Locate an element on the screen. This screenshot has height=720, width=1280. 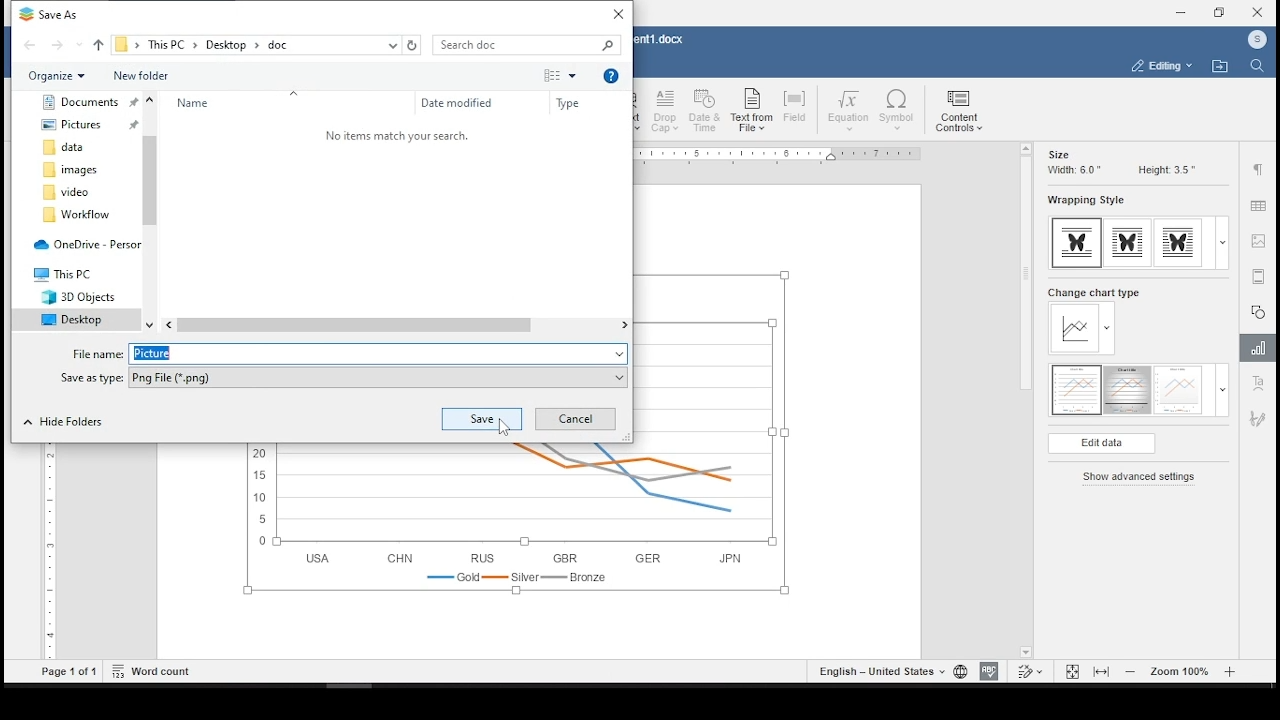
back is located at coordinates (31, 46).